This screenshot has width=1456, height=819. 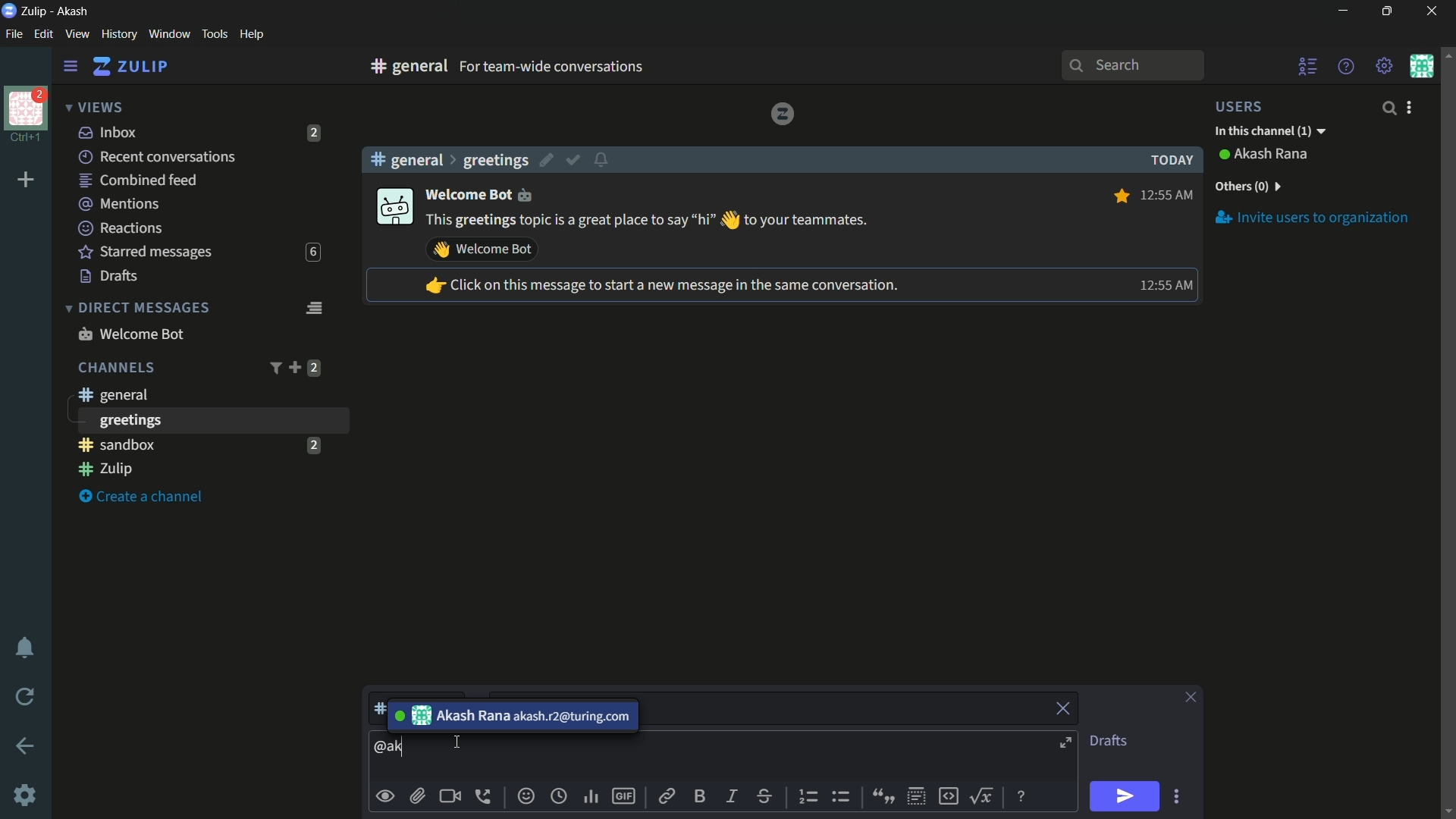 I want to click on 6 unread messages, so click(x=312, y=253).